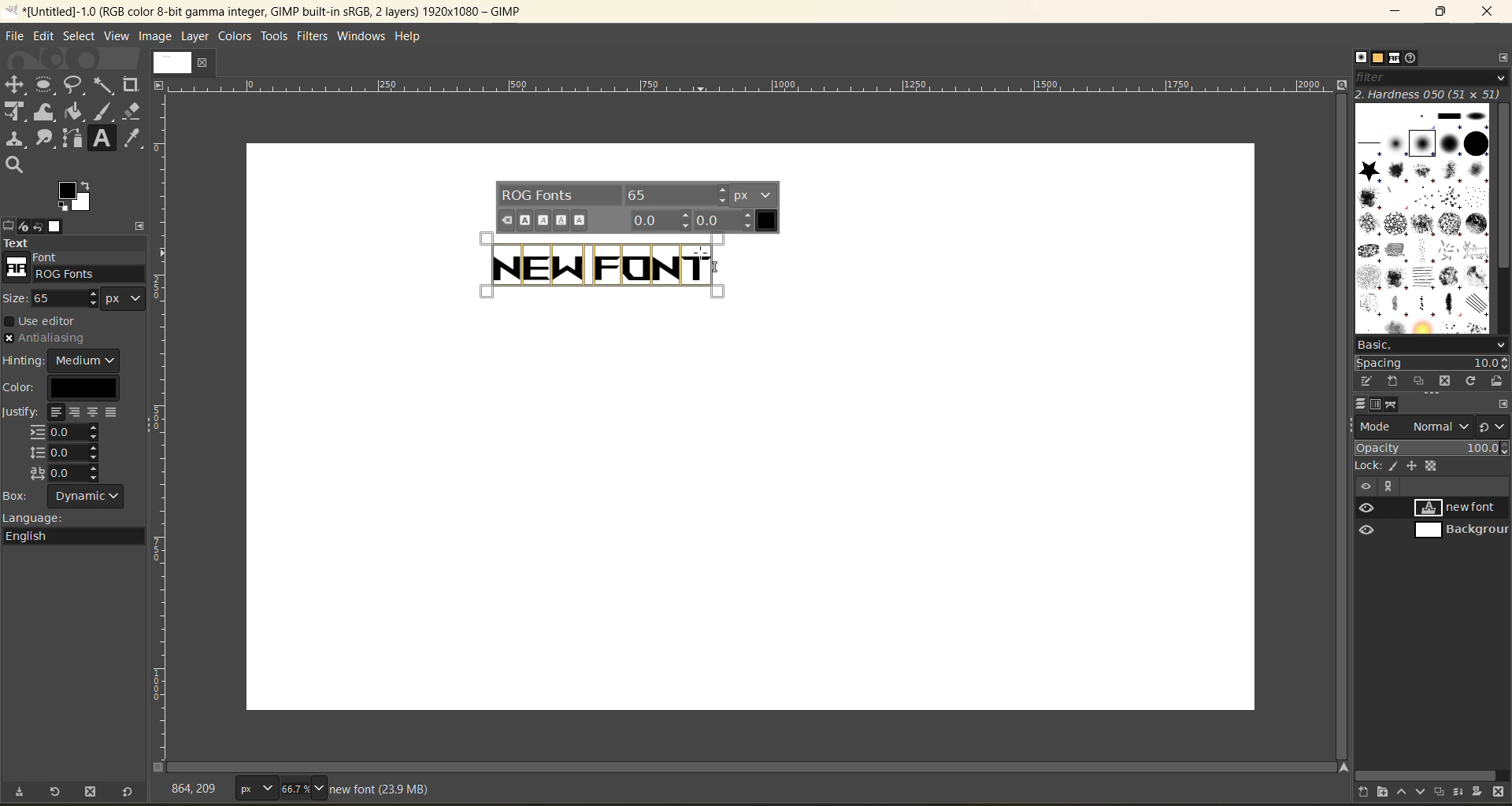  What do you see at coordinates (1340, 426) in the screenshot?
I see `vertical scroll bar` at bounding box center [1340, 426].